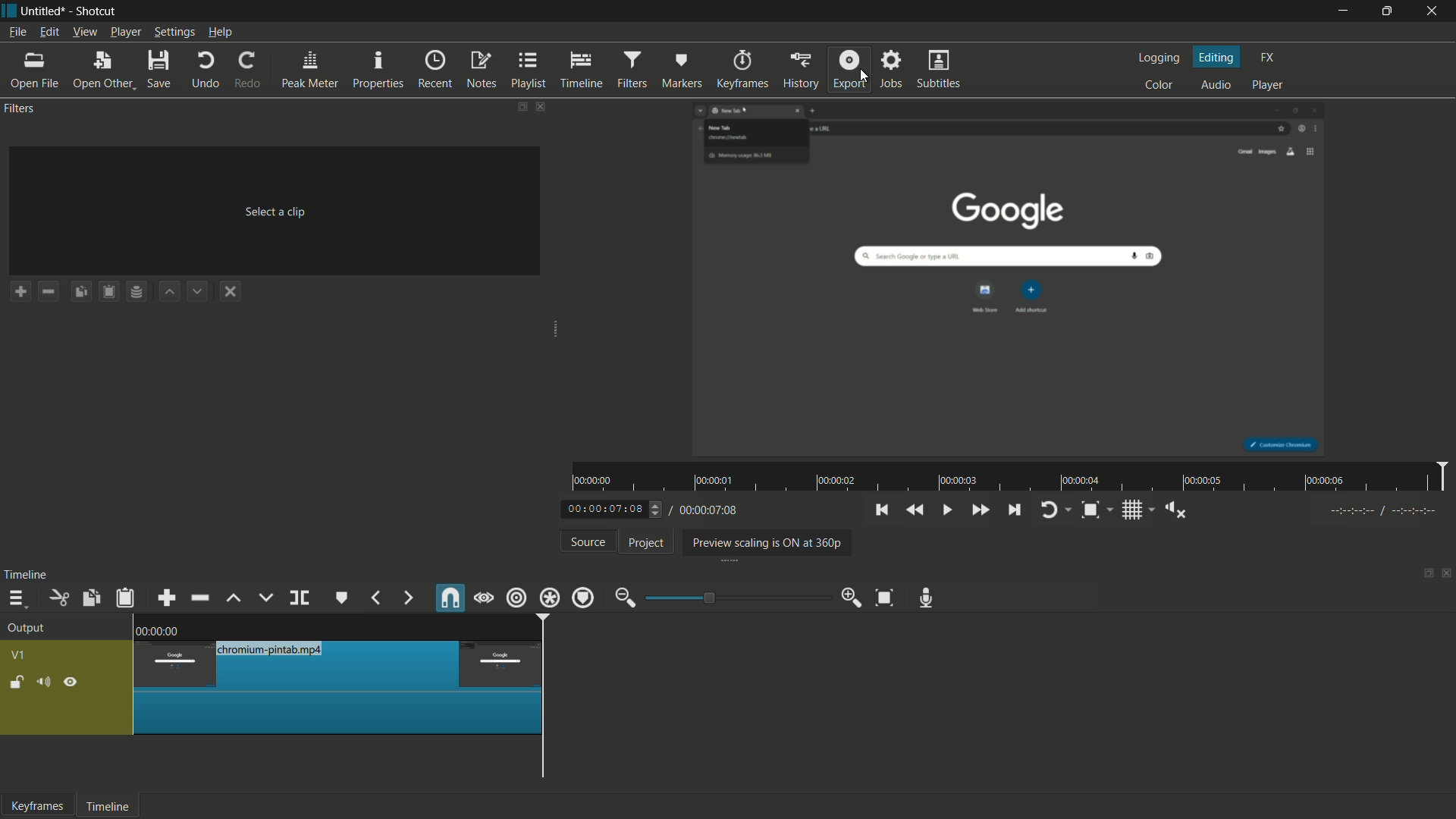  What do you see at coordinates (95, 11) in the screenshot?
I see `app name` at bounding box center [95, 11].